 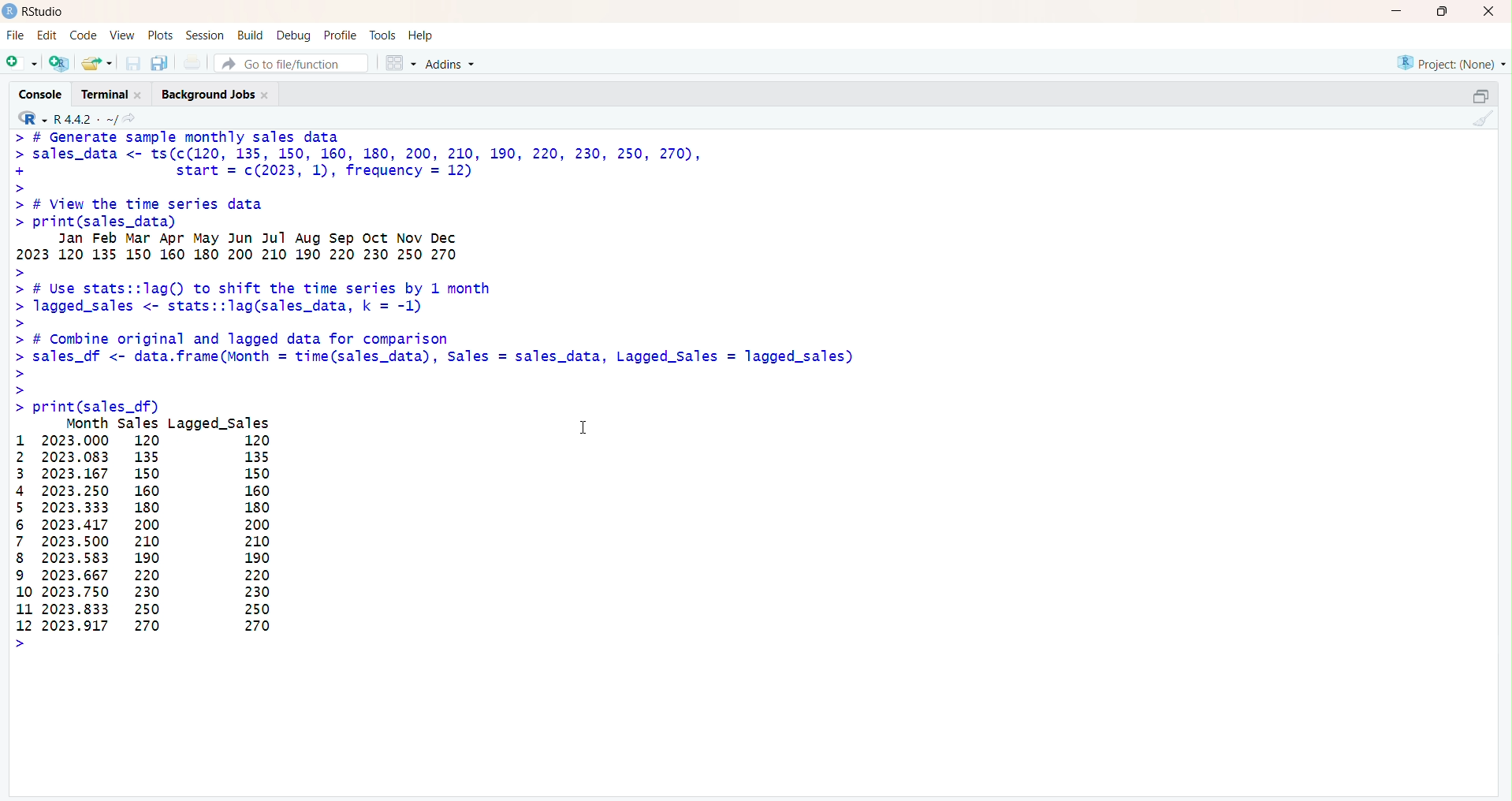 I want to click on build, so click(x=251, y=35).